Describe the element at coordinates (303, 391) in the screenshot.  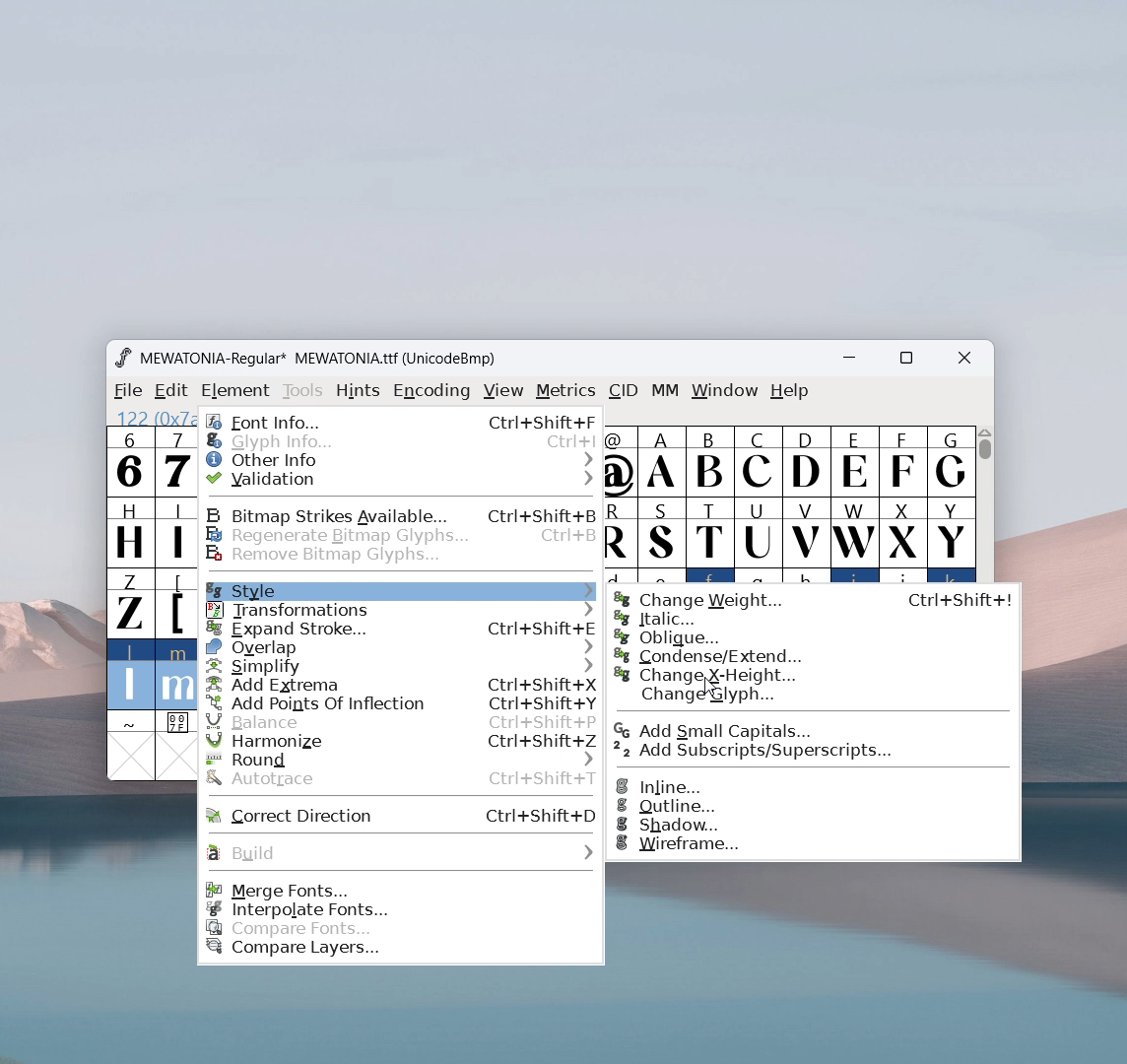
I see `tools` at that location.